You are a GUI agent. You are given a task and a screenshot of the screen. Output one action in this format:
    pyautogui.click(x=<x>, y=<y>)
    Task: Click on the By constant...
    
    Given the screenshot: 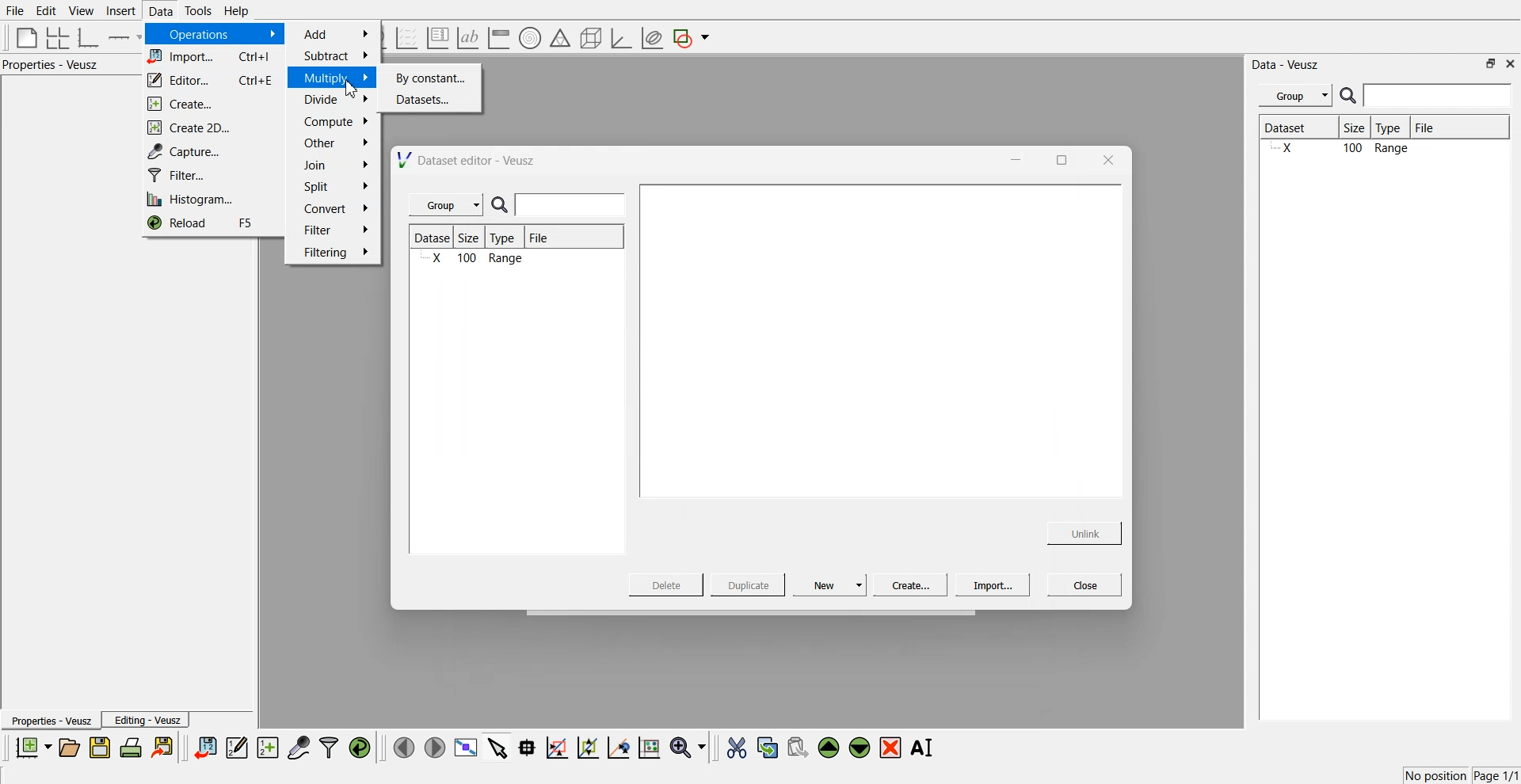 What is the action you would take?
    pyautogui.click(x=433, y=78)
    